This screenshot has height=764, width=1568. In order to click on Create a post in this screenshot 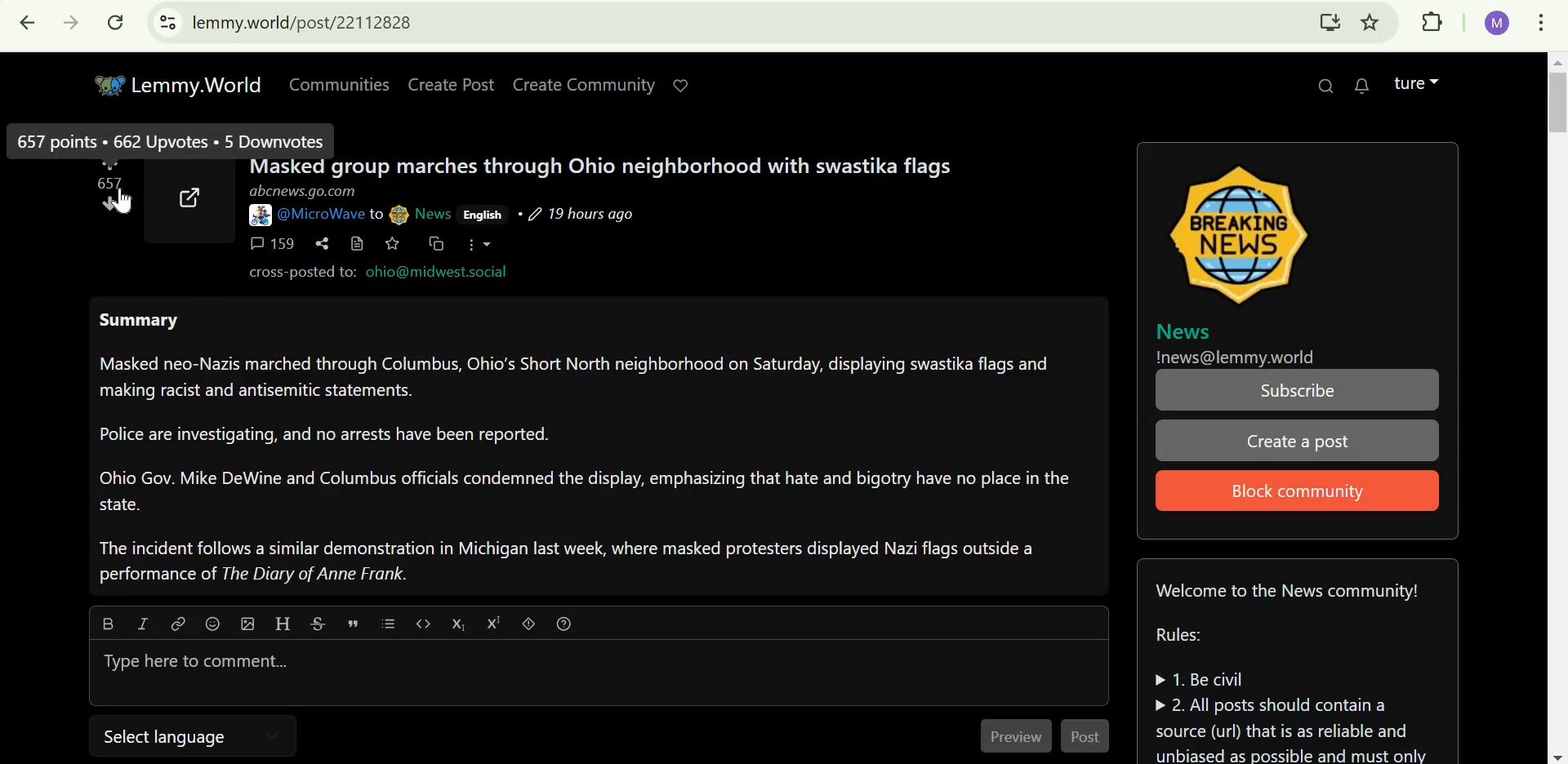, I will do `click(1301, 444)`.